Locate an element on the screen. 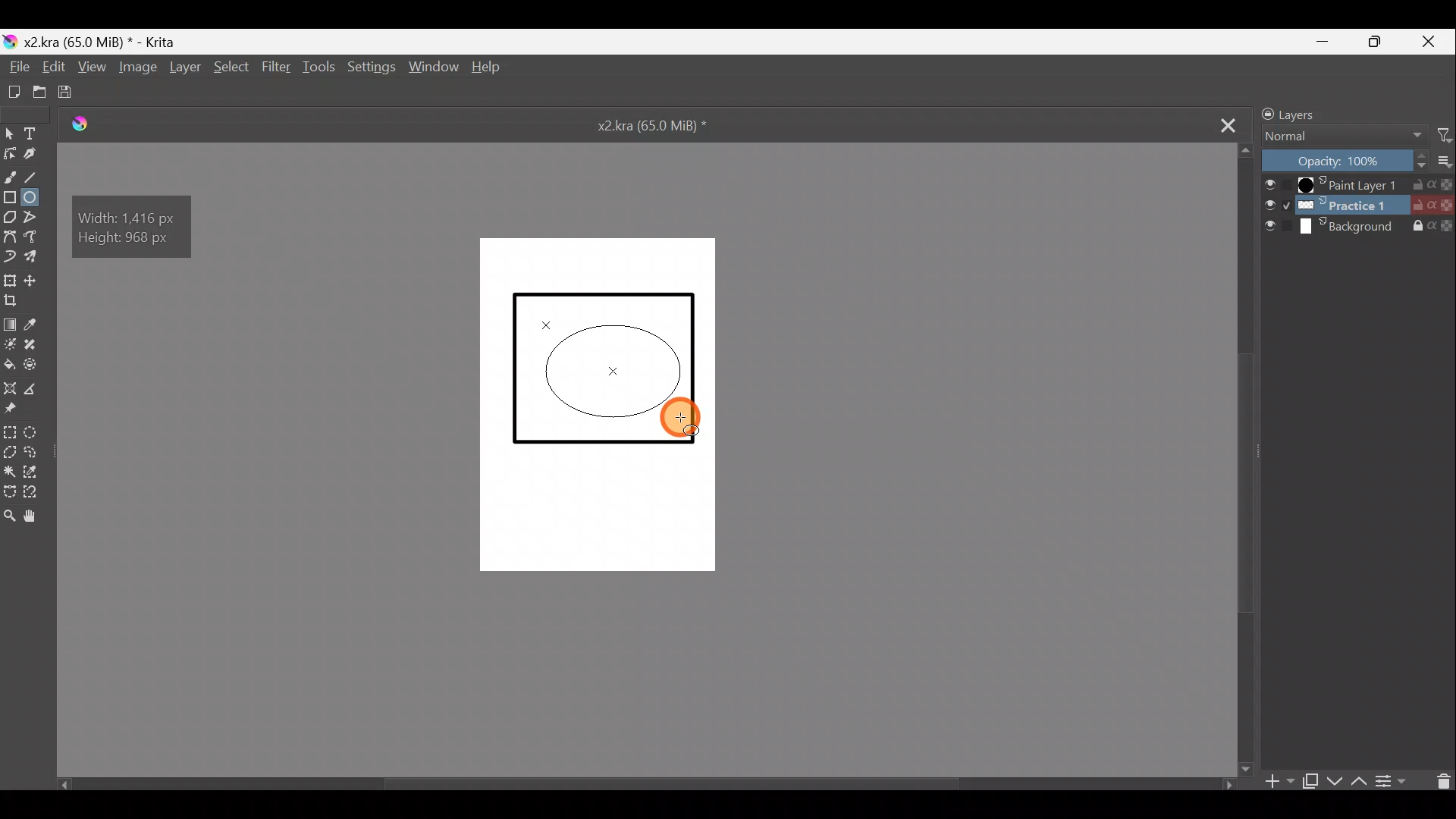  Zoom tool is located at coordinates (9, 521).